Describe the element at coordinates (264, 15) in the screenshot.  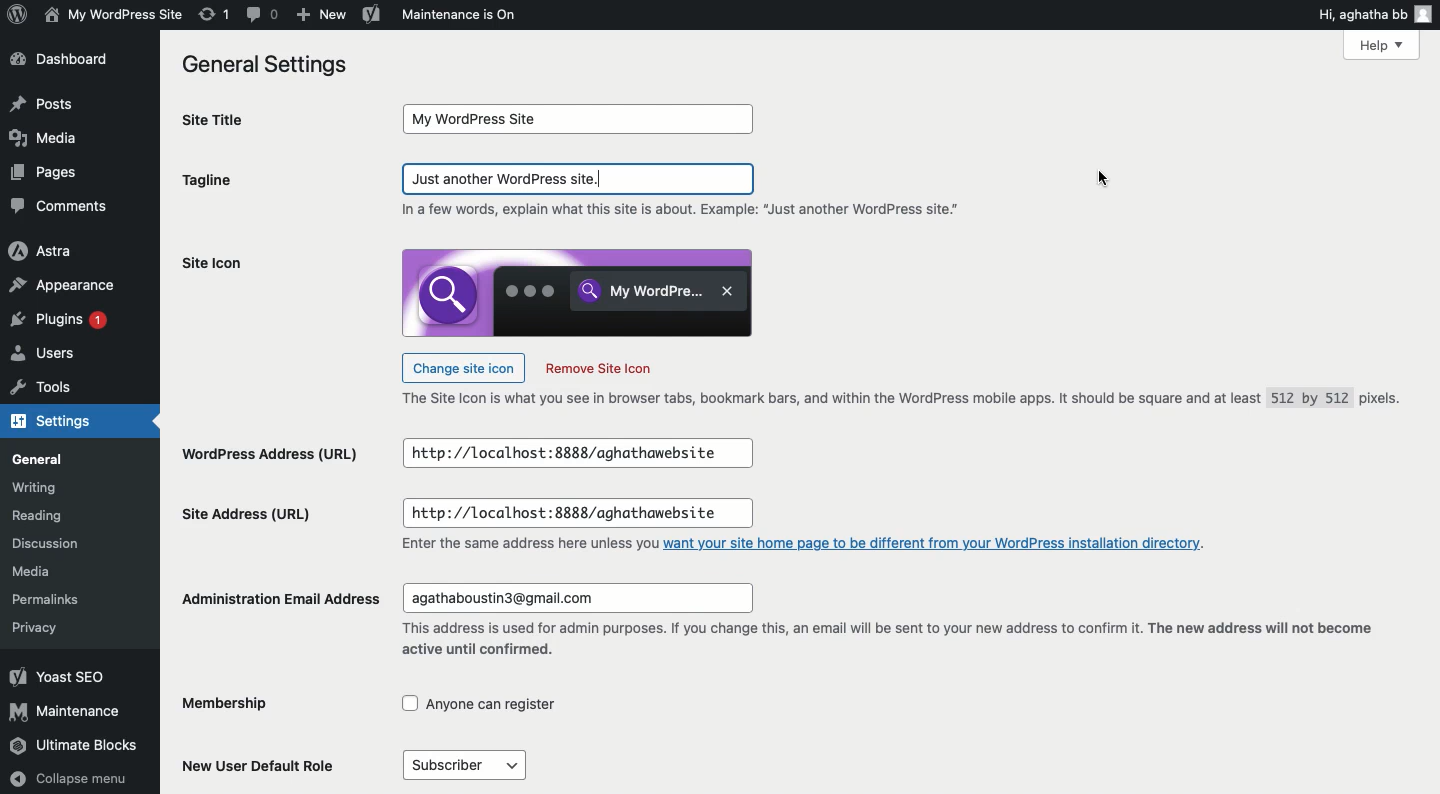
I see `Comment` at that location.